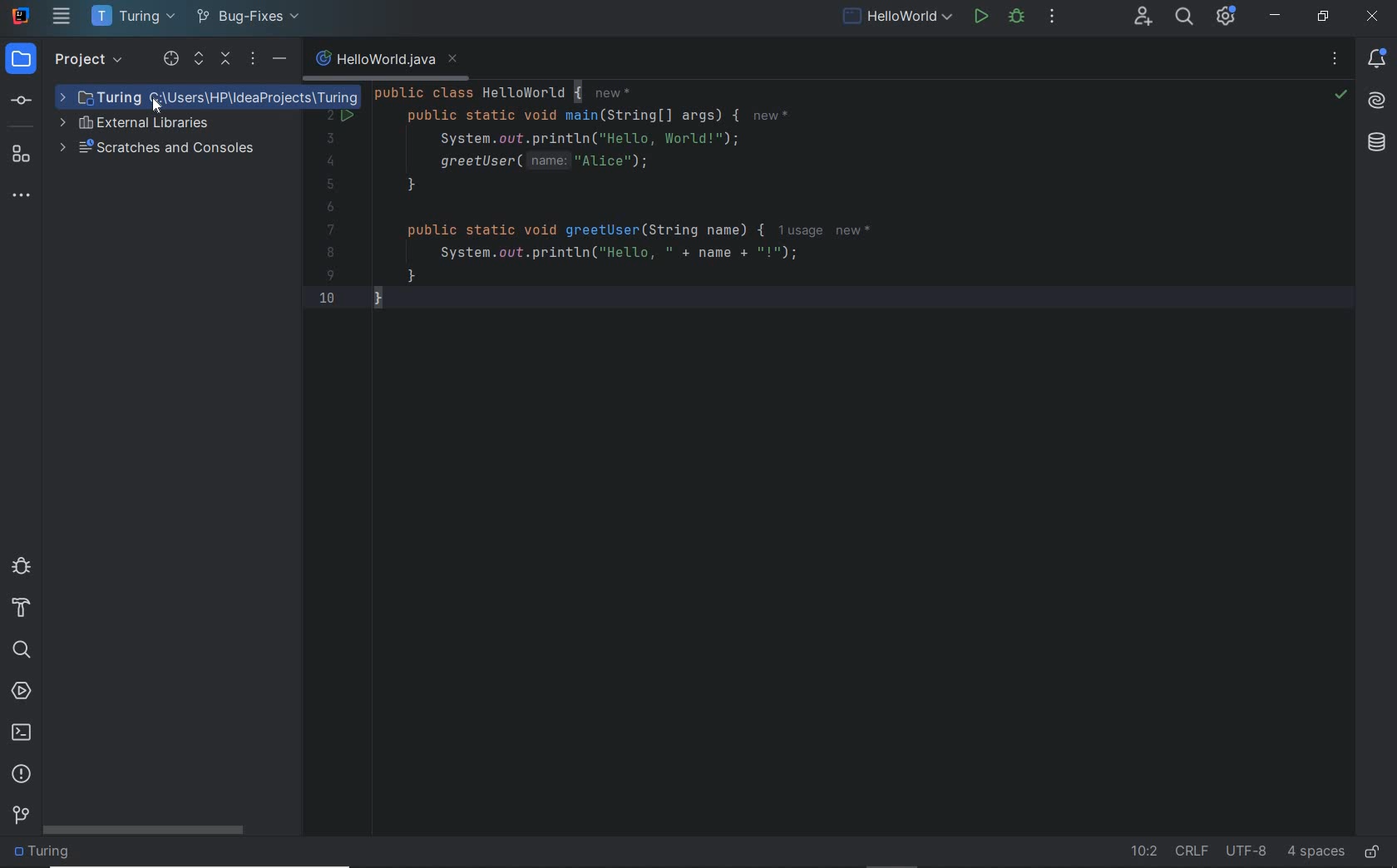 Image resolution: width=1397 pixels, height=868 pixels. What do you see at coordinates (22, 155) in the screenshot?
I see `structure` at bounding box center [22, 155].